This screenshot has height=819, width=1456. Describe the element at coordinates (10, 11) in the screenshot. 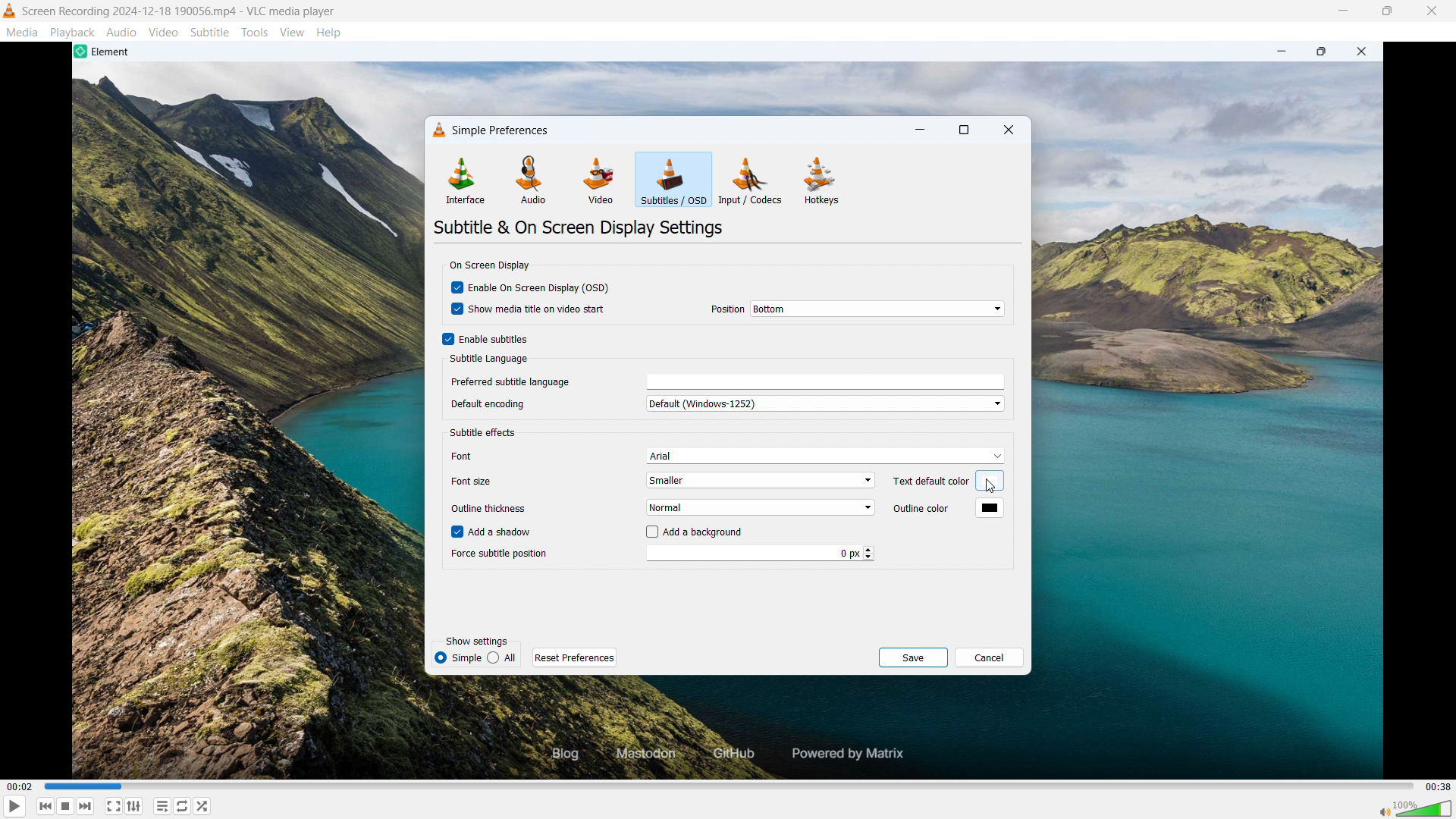

I see `Logo ` at that location.